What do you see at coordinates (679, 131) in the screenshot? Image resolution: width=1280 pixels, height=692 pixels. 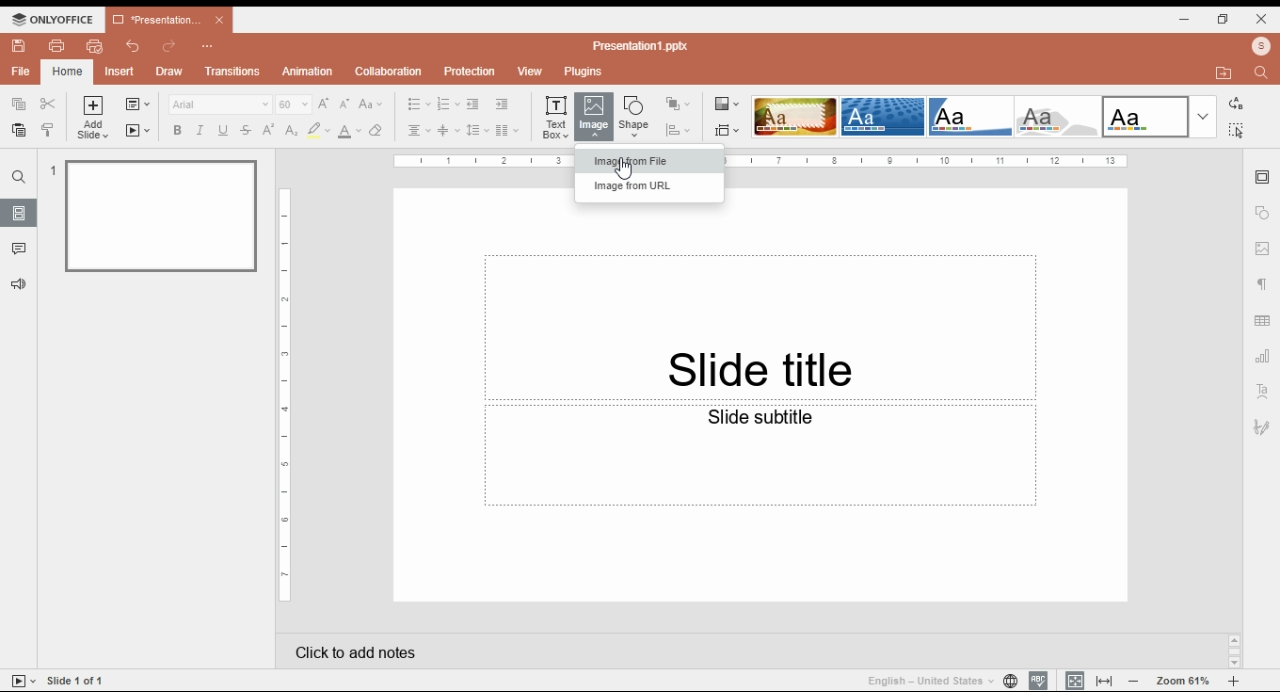 I see `align shapes` at bounding box center [679, 131].